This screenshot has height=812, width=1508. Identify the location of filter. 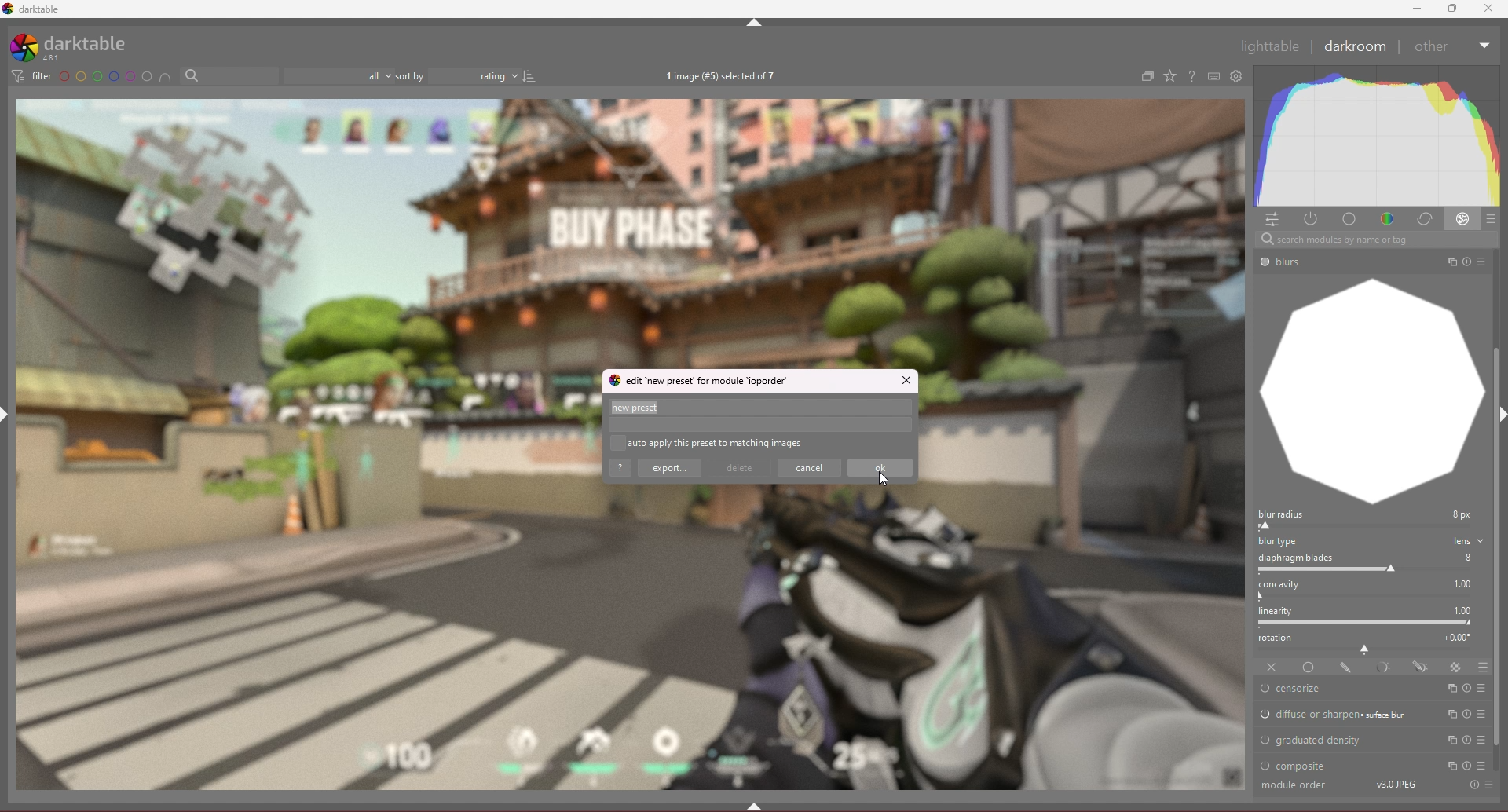
(32, 75).